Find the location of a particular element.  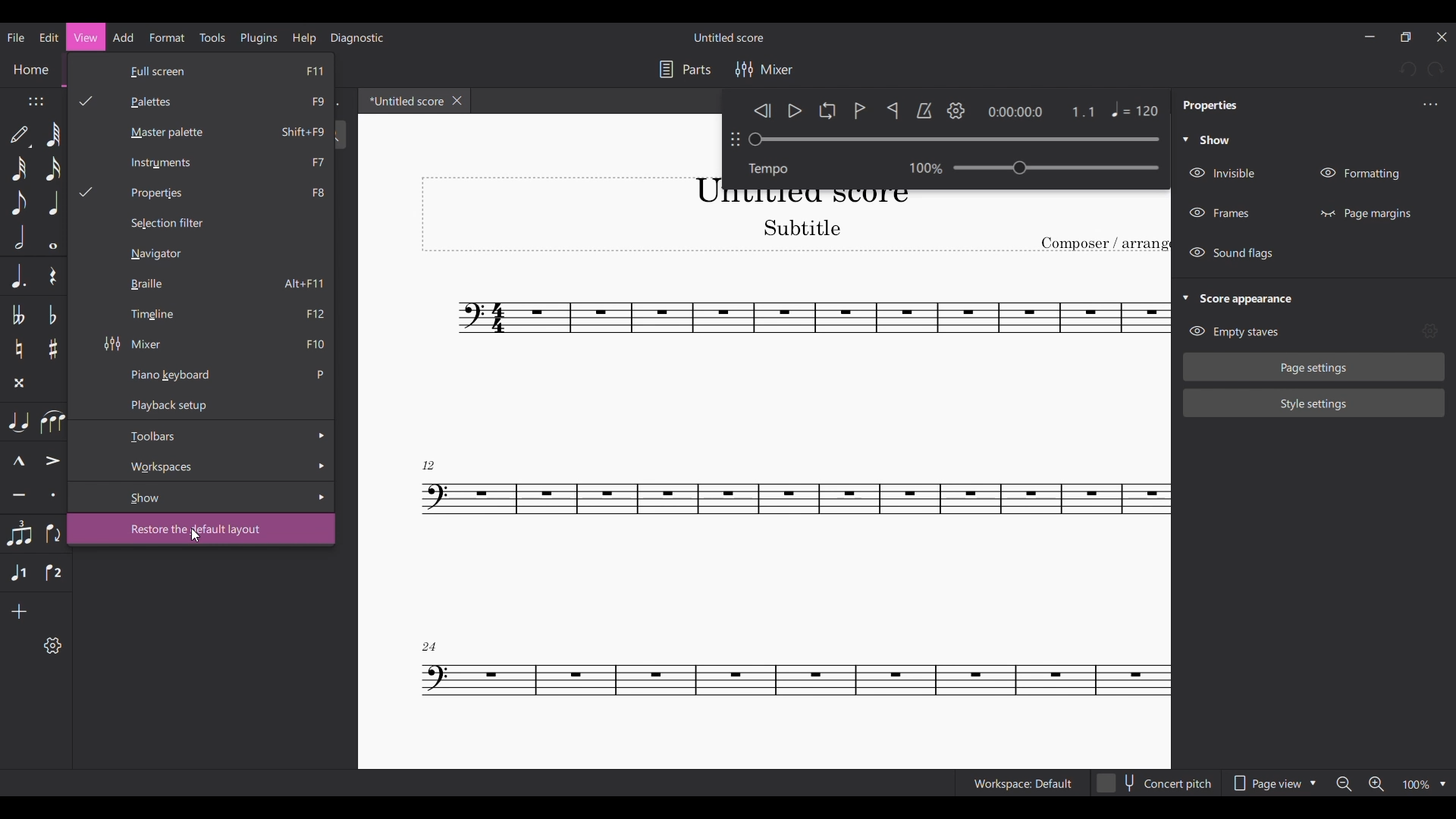

Workspace: Default is located at coordinates (1022, 783).